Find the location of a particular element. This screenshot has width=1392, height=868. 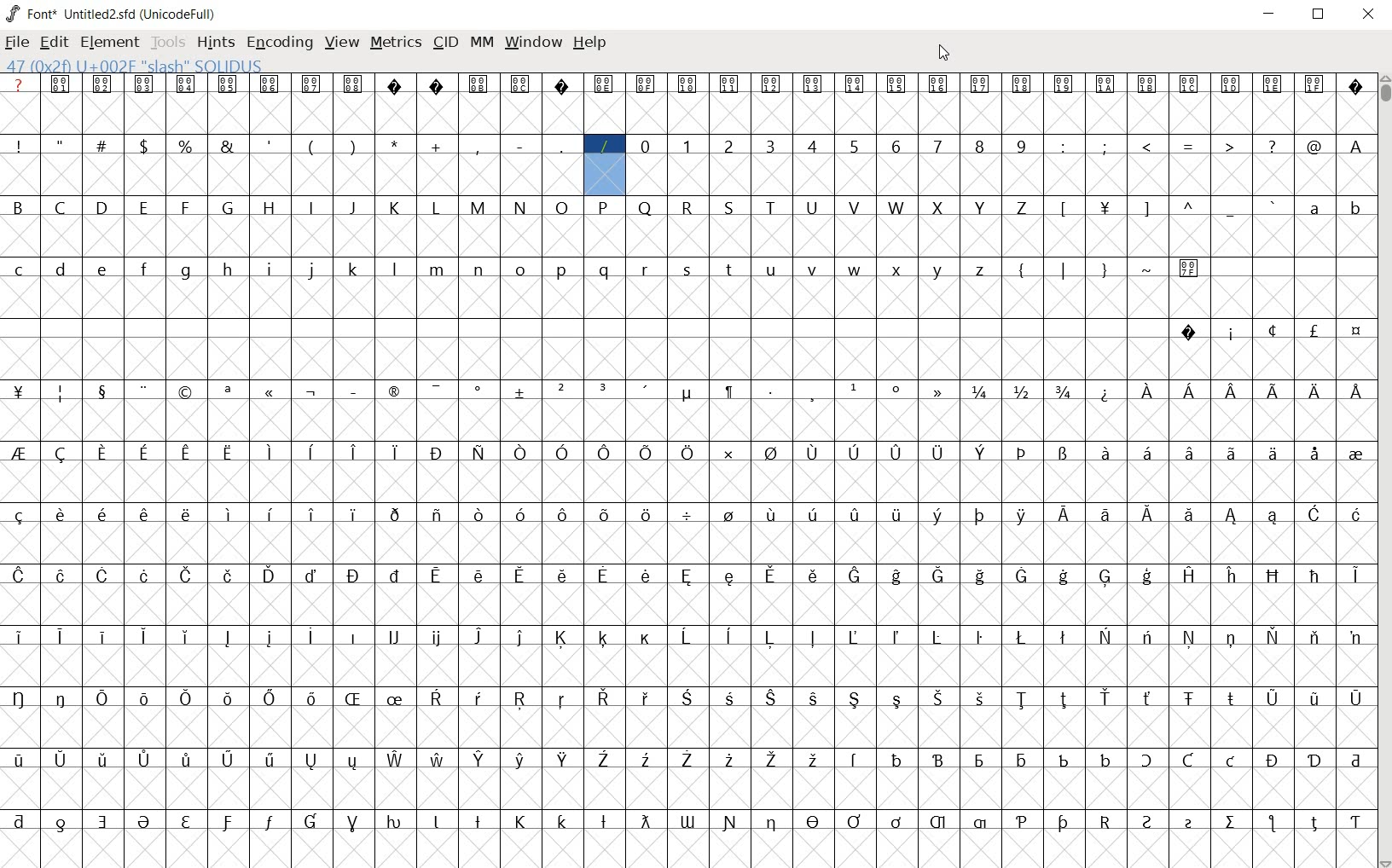

glyph is located at coordinates (61, 576).